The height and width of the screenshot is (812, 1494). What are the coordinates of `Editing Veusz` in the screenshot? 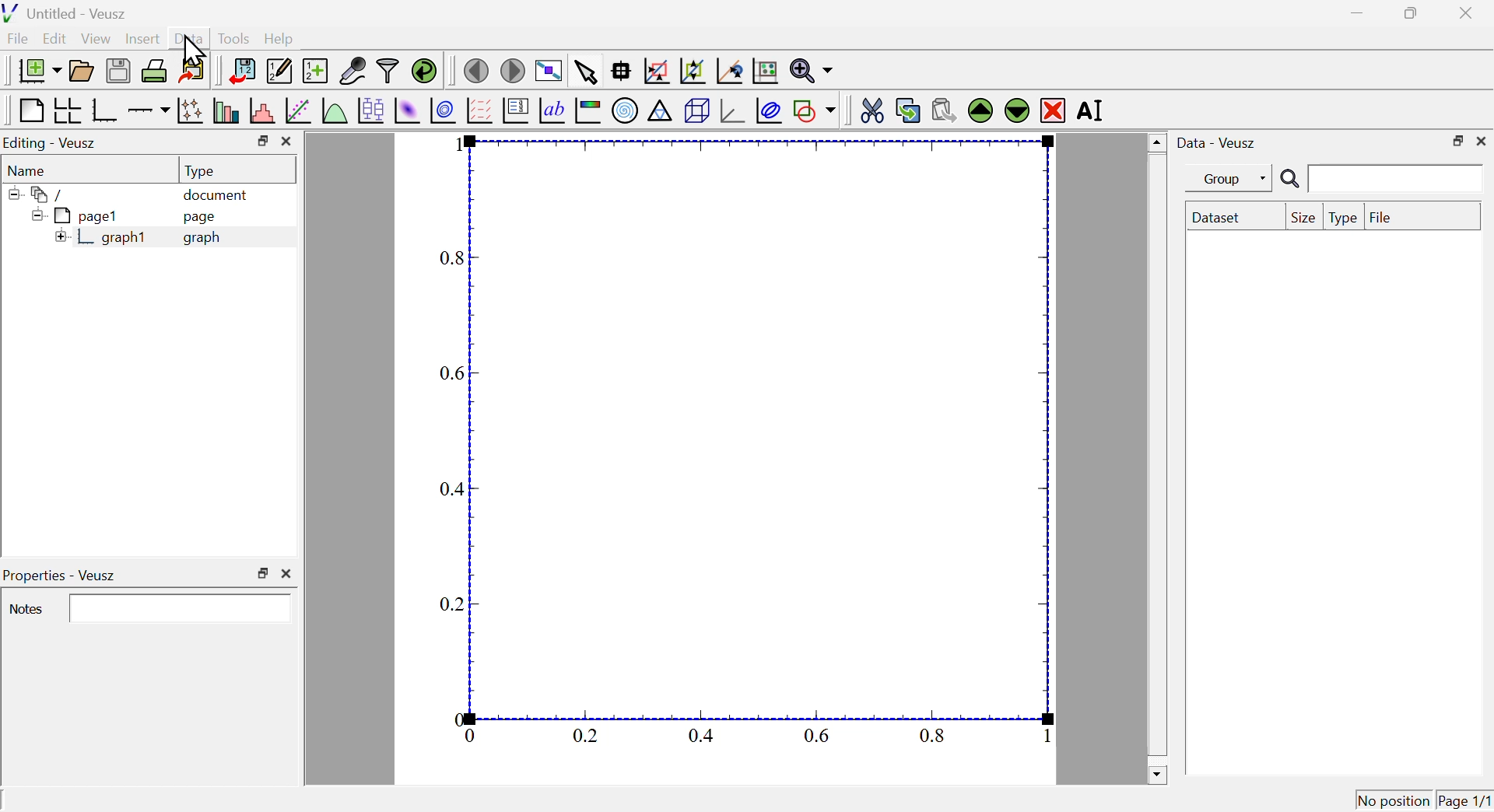 It's located at (53, 143).